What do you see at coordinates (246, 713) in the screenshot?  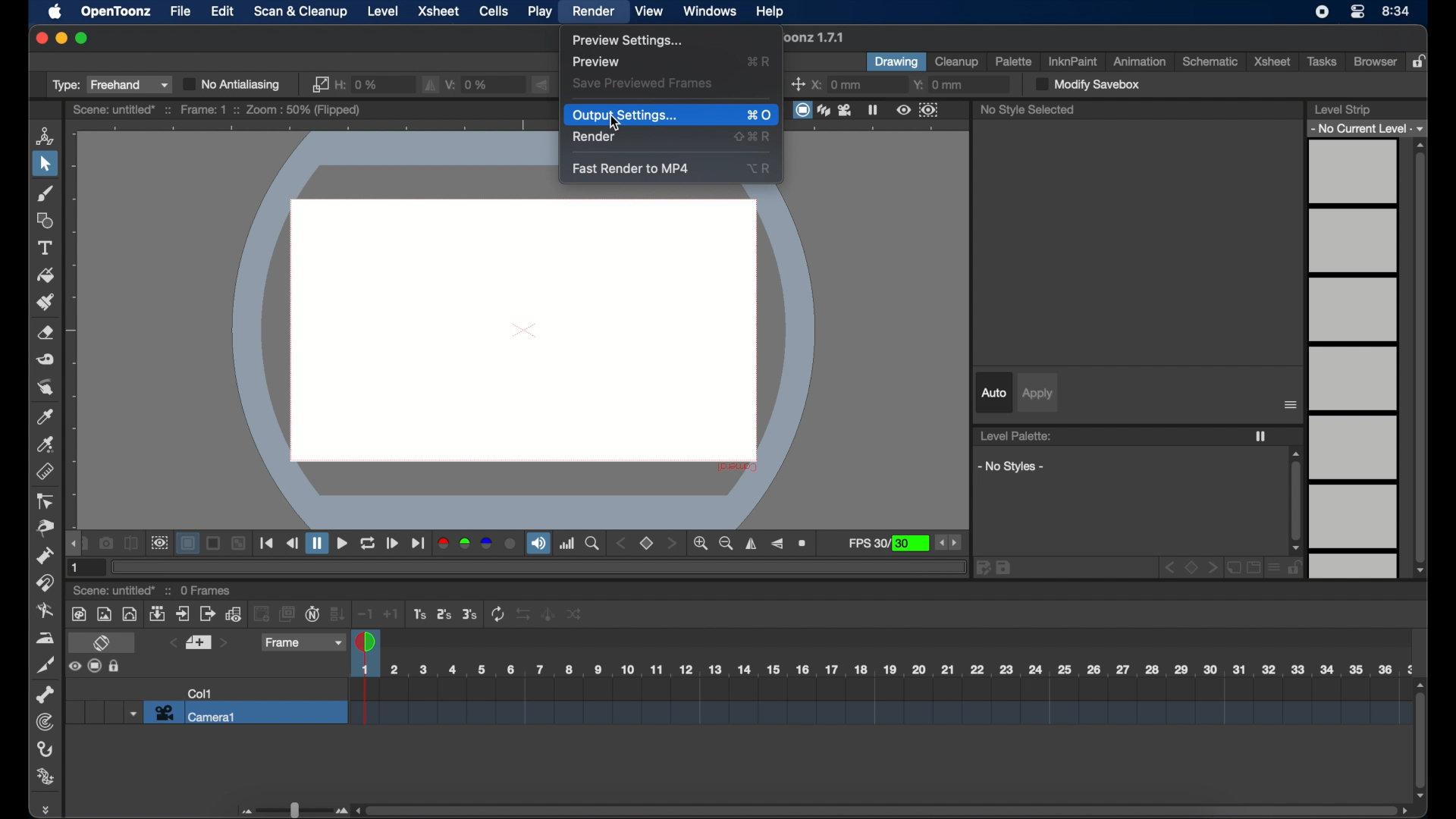 I see `camera 1` at bounding box center [246, 713].